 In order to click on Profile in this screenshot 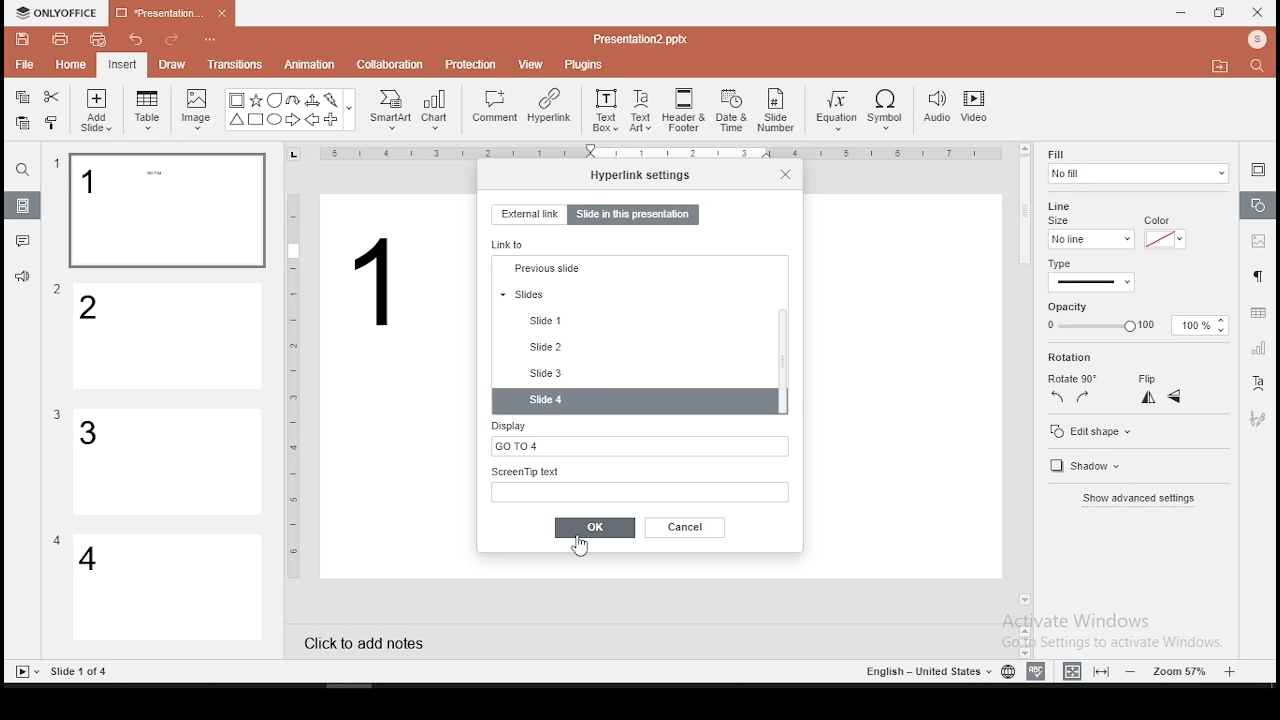, I will do `click(1259, 40)`.